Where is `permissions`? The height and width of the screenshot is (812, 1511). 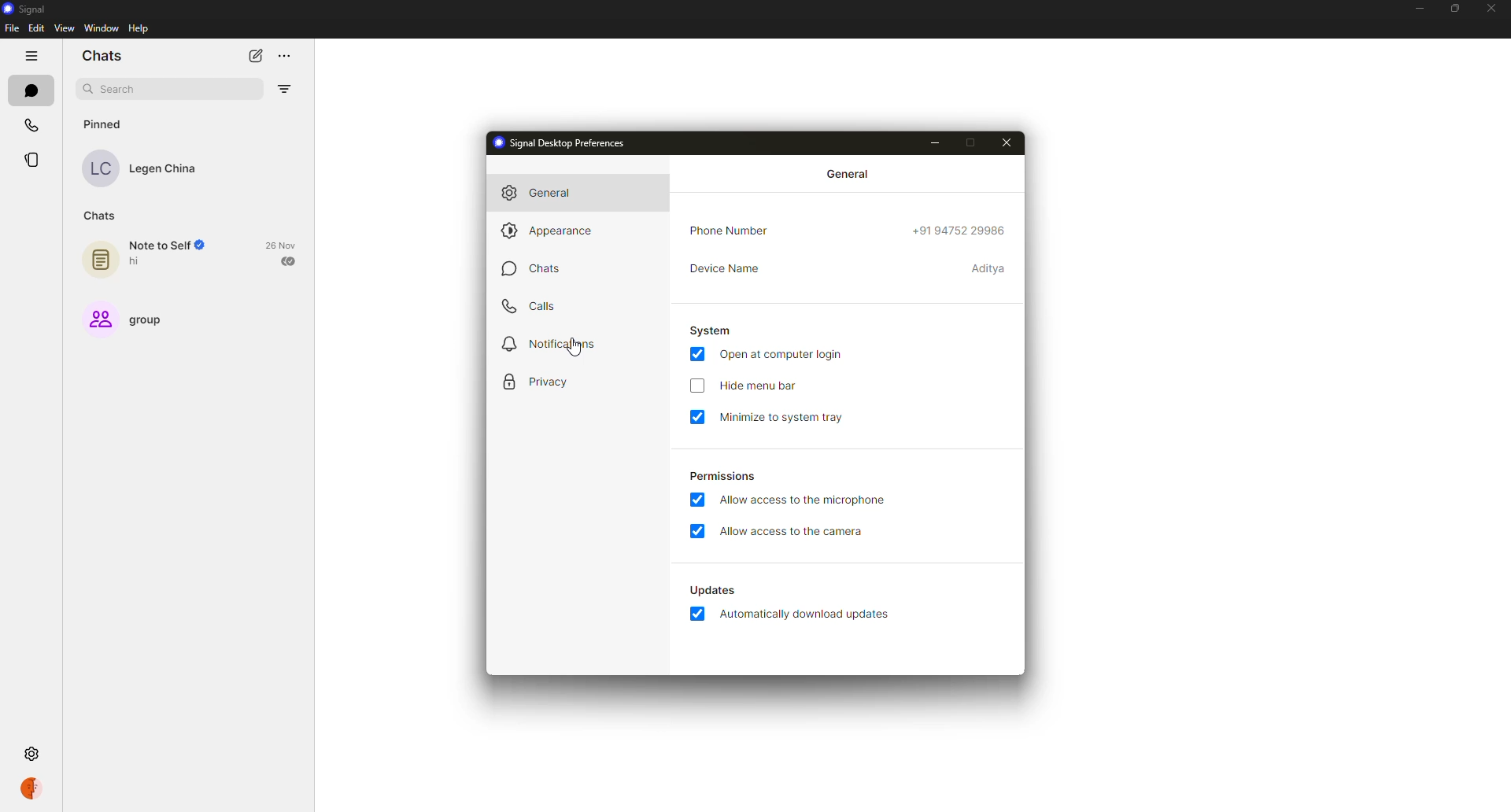 permissions is located at coordinates (723, 474).